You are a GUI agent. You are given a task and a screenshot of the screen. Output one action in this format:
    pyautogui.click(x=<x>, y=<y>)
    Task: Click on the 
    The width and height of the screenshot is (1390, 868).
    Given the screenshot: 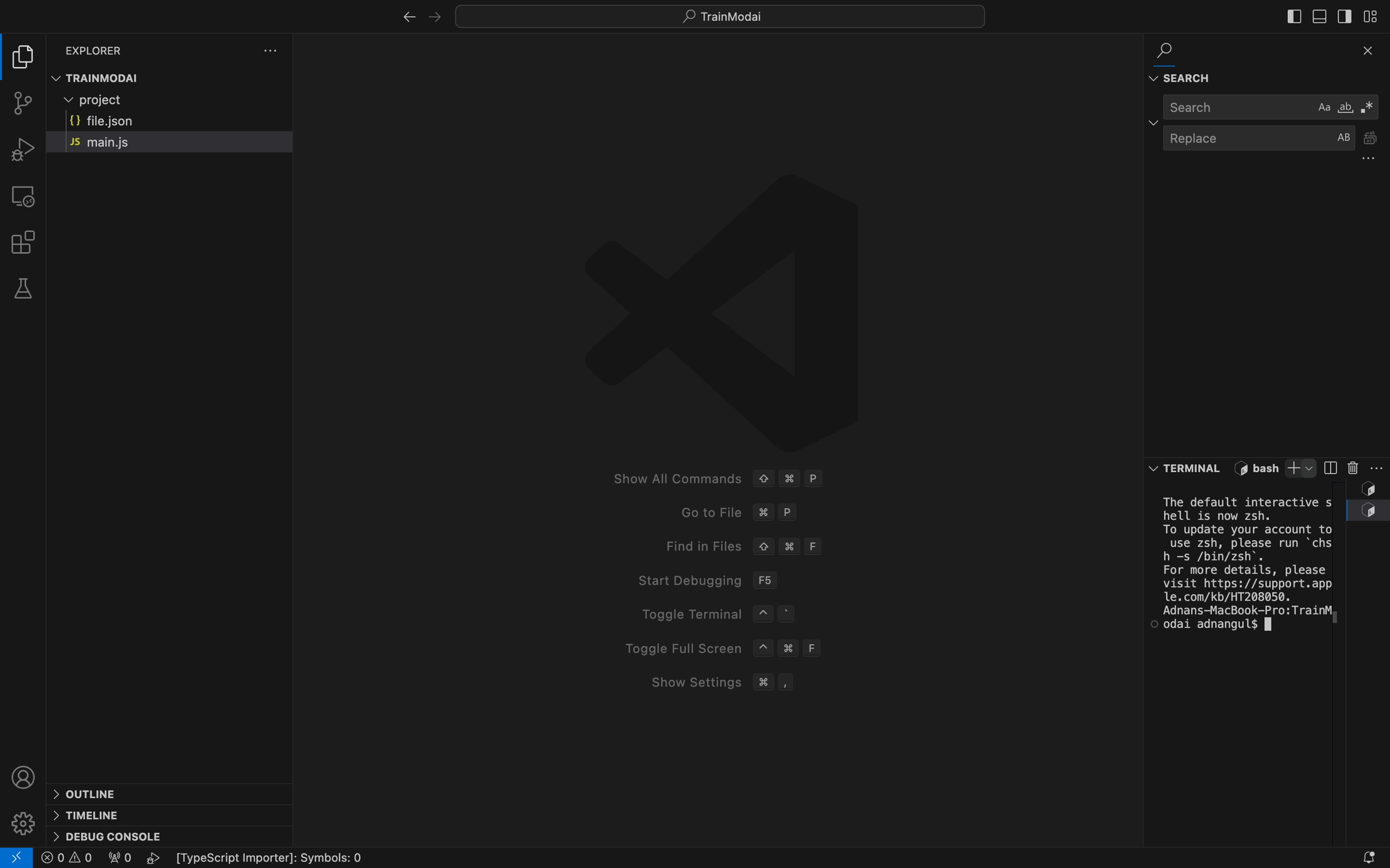 What is the action you would take?
    pyautogui.click(x=91, y=793)
    